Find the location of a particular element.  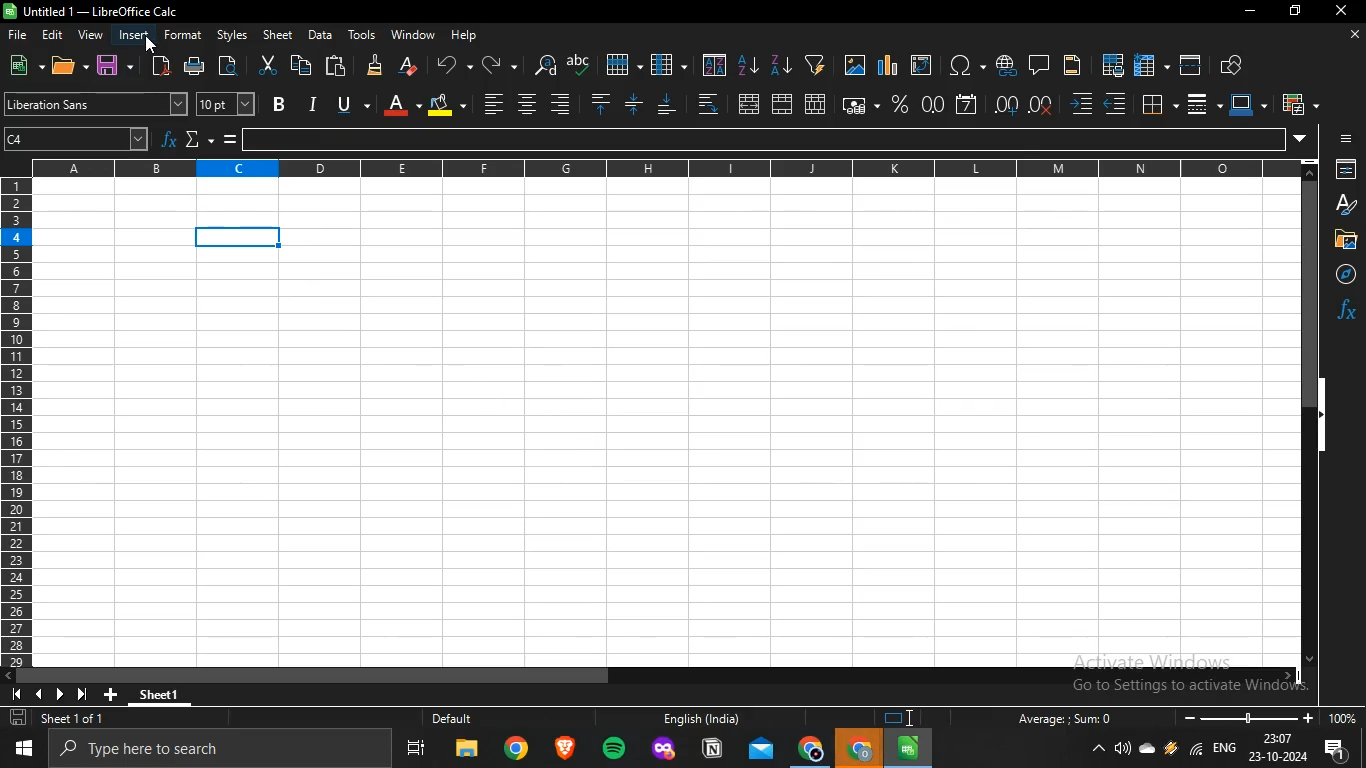

unmerge cells is located at coordinates (815, 102).